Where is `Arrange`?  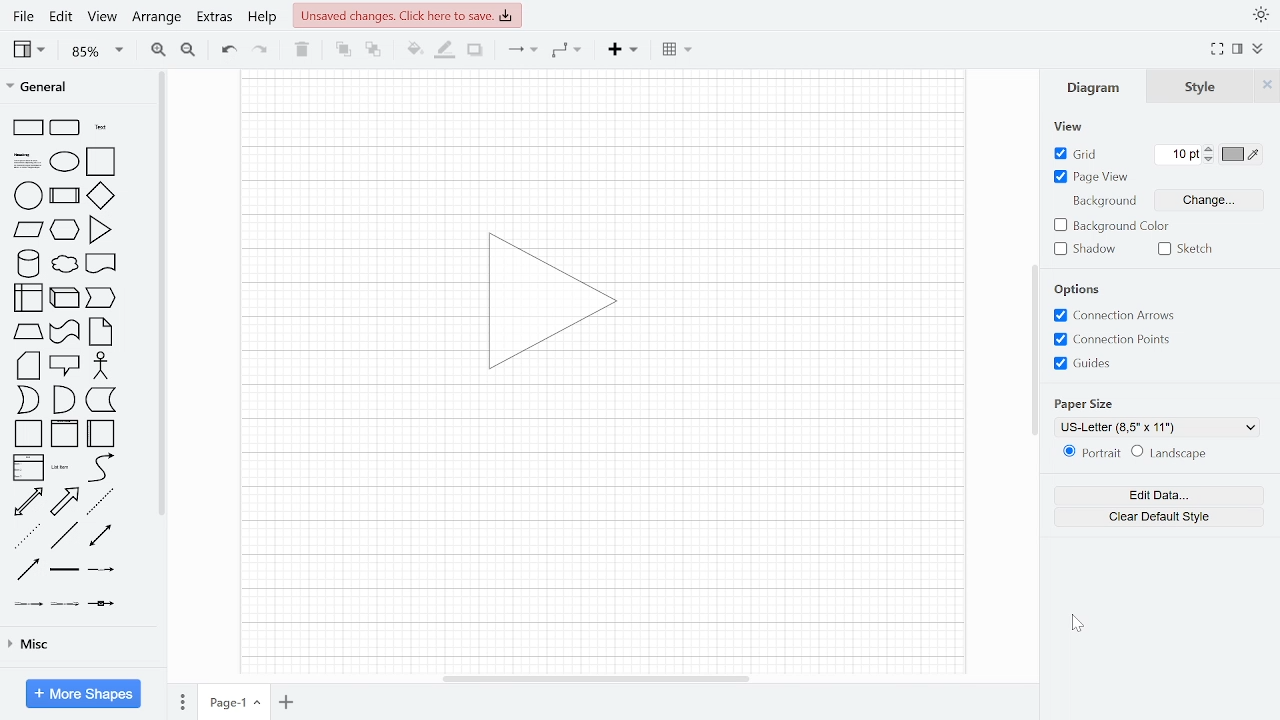 Arrange is located at coordinates (158, 19).